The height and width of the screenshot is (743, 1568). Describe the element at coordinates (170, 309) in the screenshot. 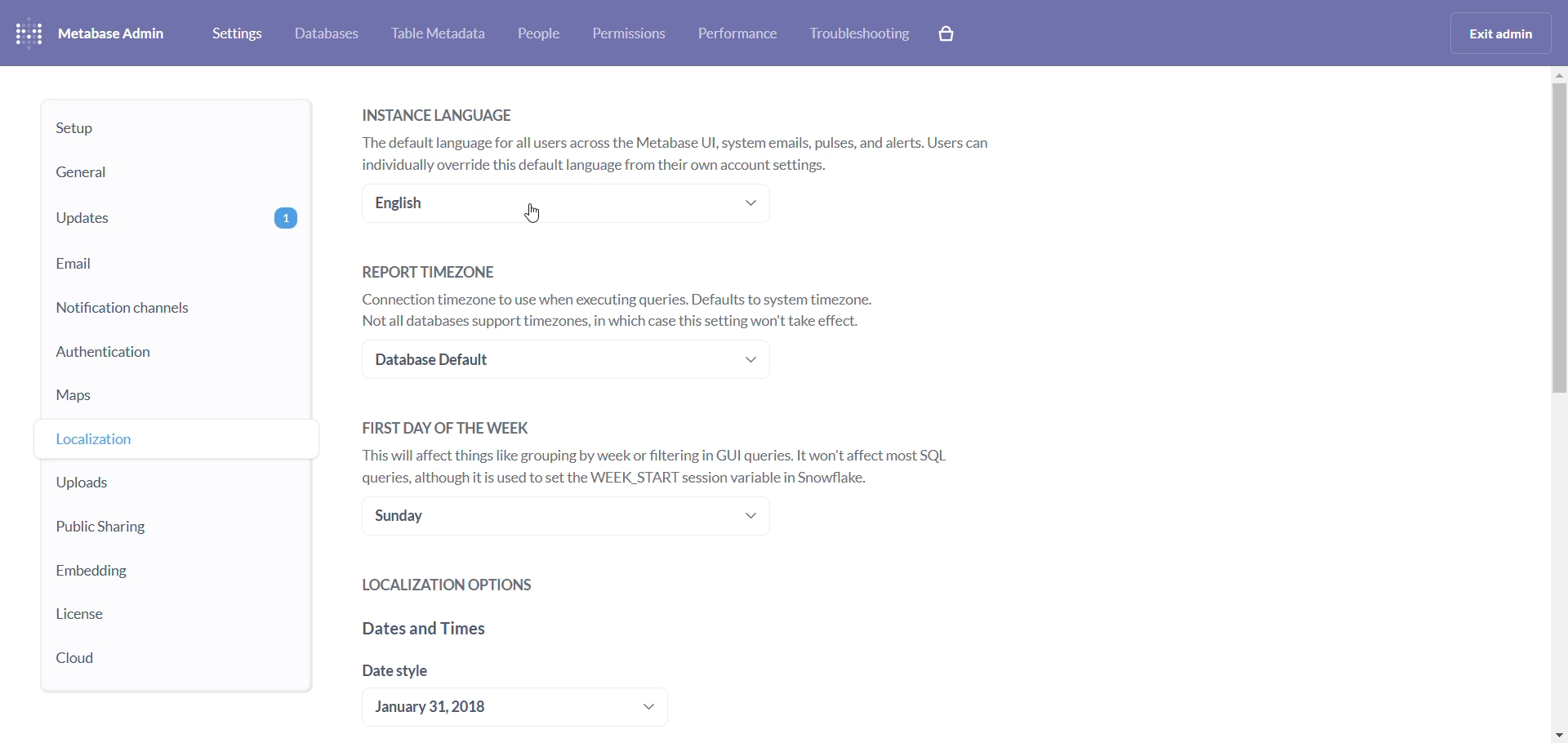

I see `notification channels` at that location.